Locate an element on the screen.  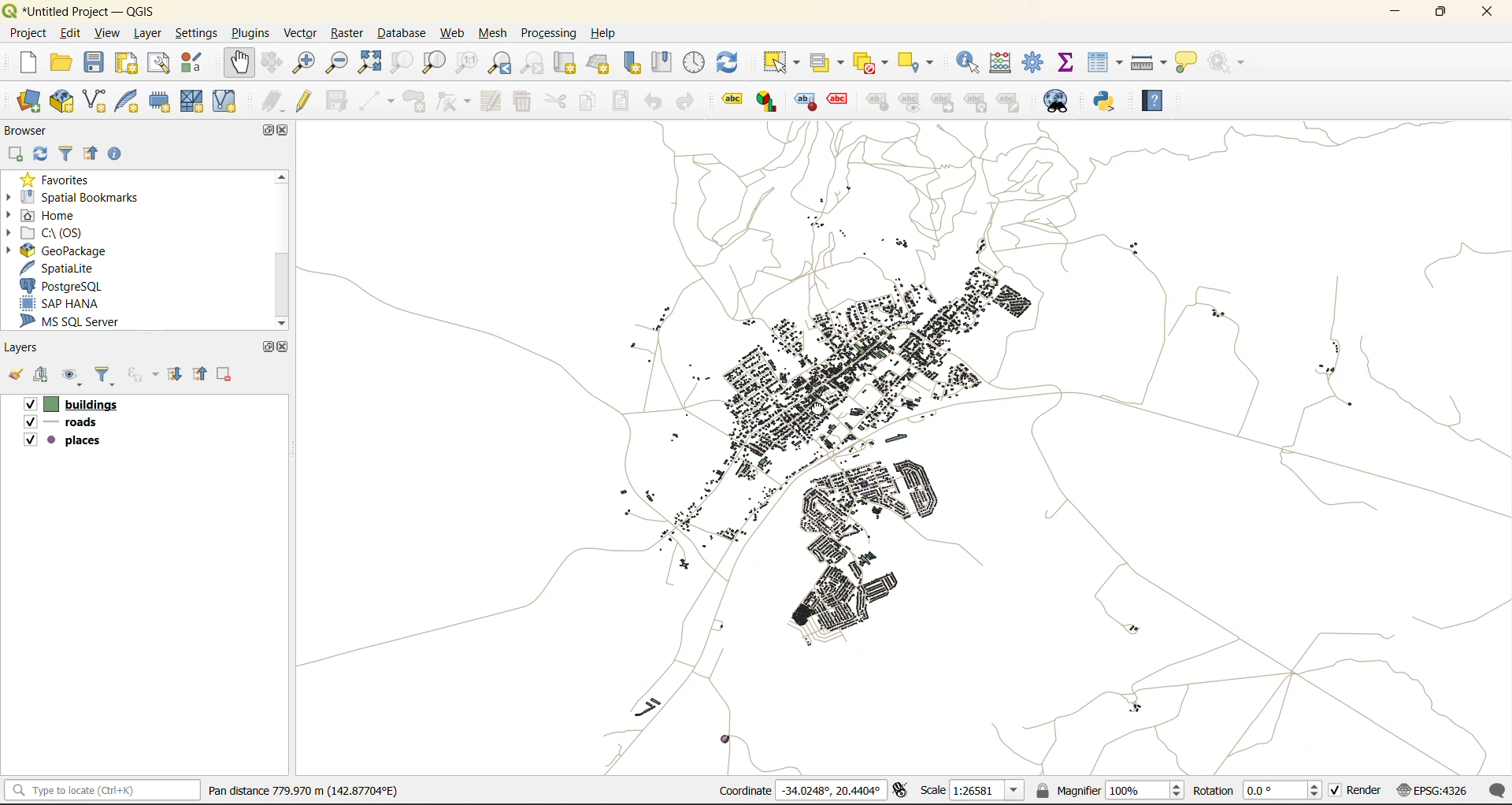
plugins is located at coordinates (248, 32).